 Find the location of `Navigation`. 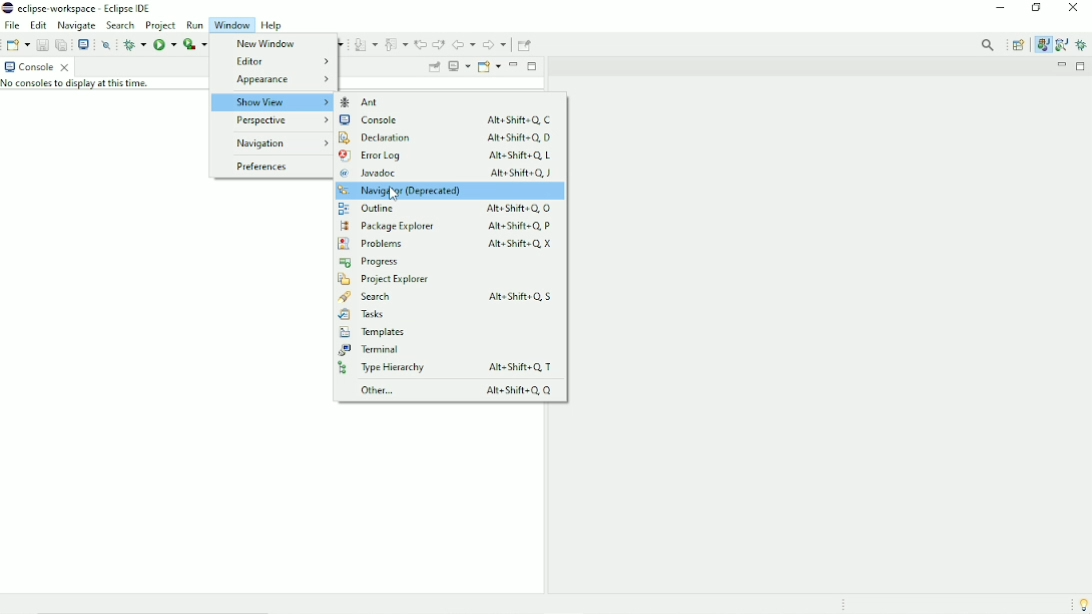

Navigation is located at coordinates (278, 143).